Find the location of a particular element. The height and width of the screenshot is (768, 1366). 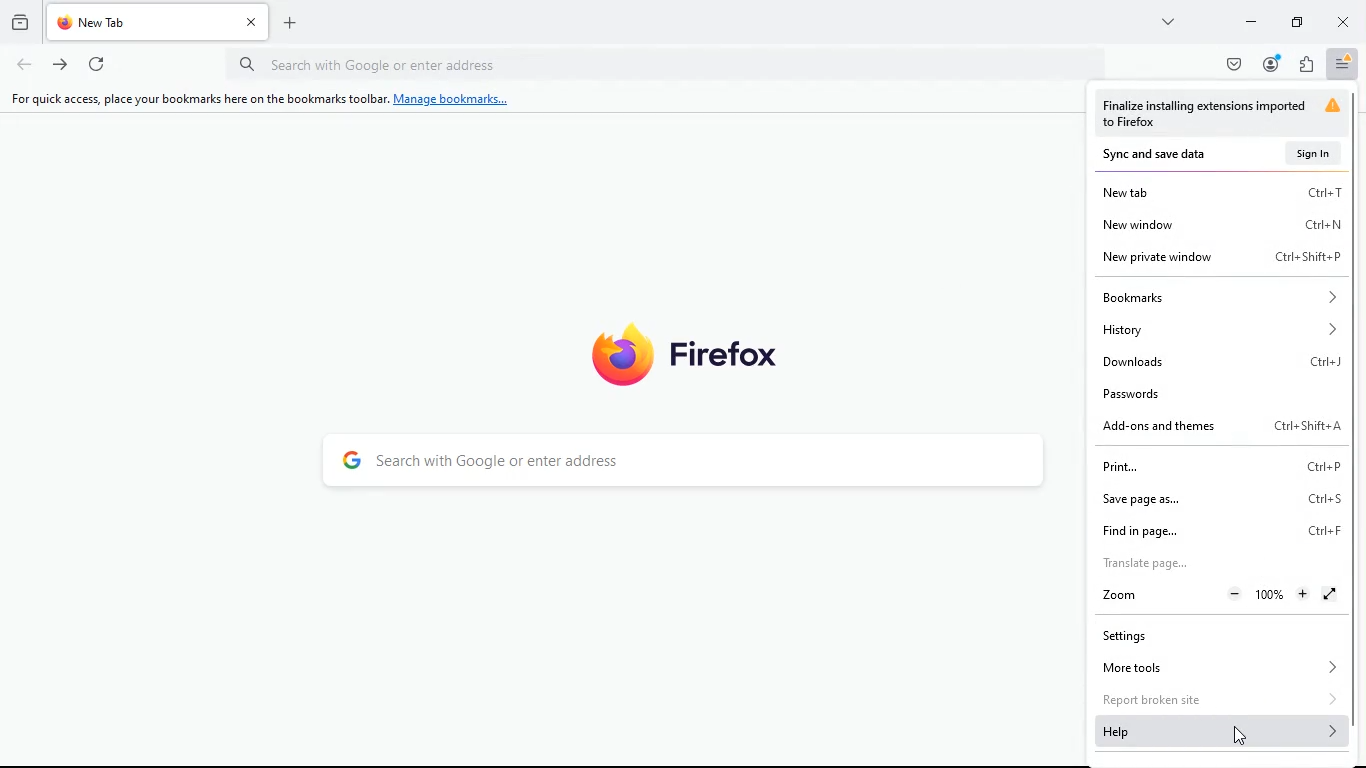

warning is located at coordinates (1221, 111).